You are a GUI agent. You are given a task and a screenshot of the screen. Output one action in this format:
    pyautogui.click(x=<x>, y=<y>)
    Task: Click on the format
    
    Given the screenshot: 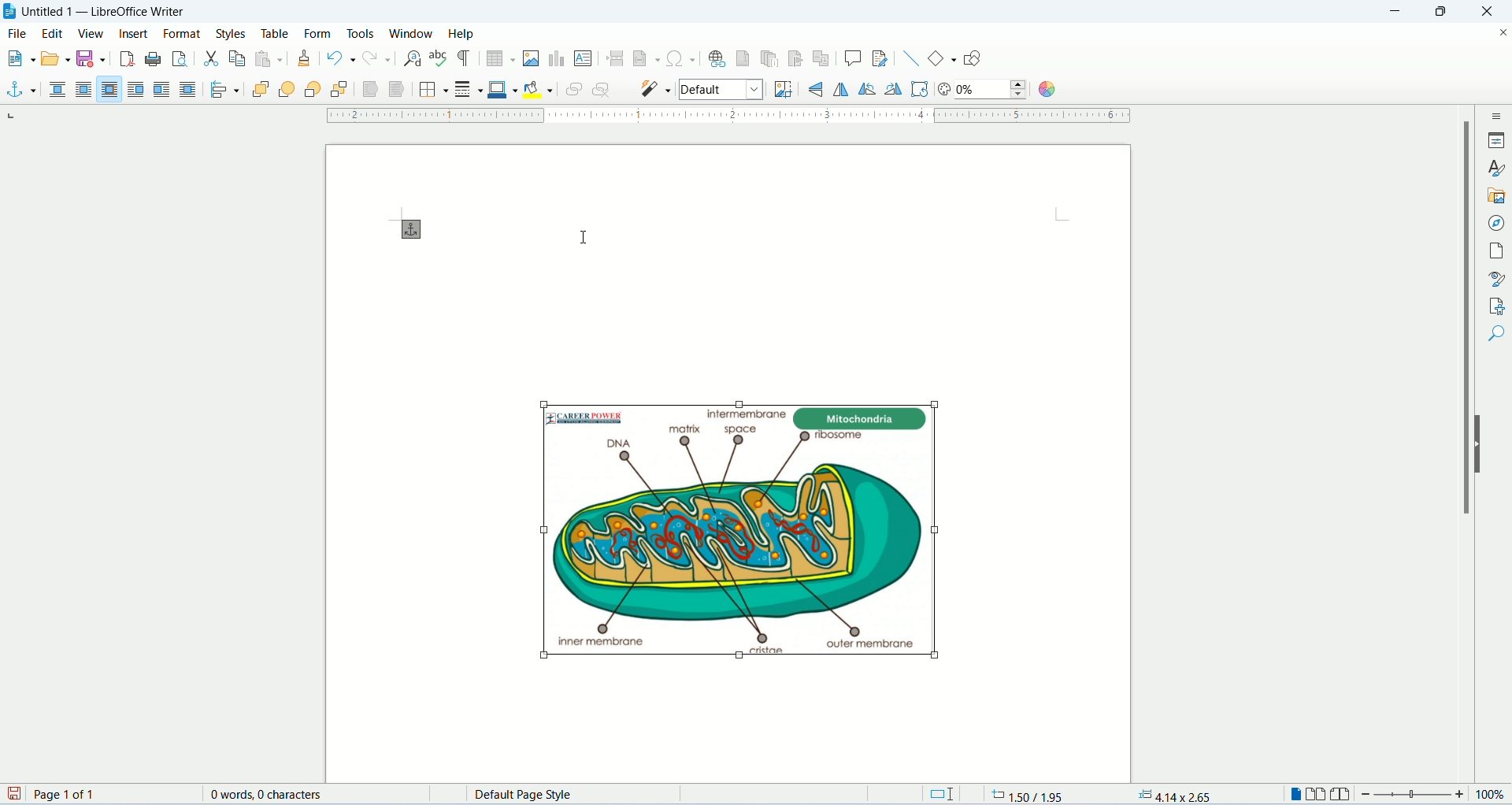 What is the action you would take?
    pyautogui.click(x=183, y=34)
    